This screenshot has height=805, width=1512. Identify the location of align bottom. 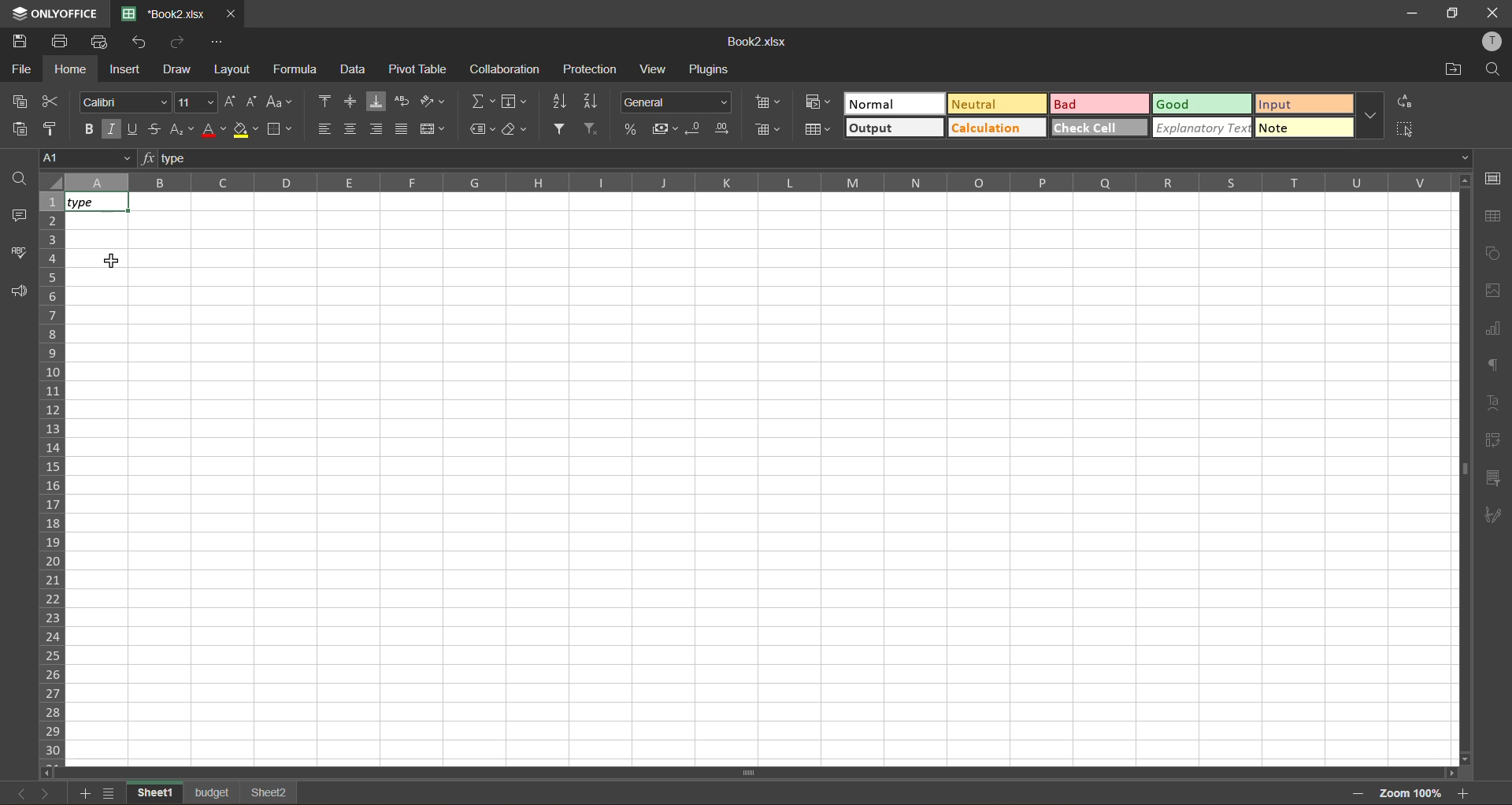
(379, 102).